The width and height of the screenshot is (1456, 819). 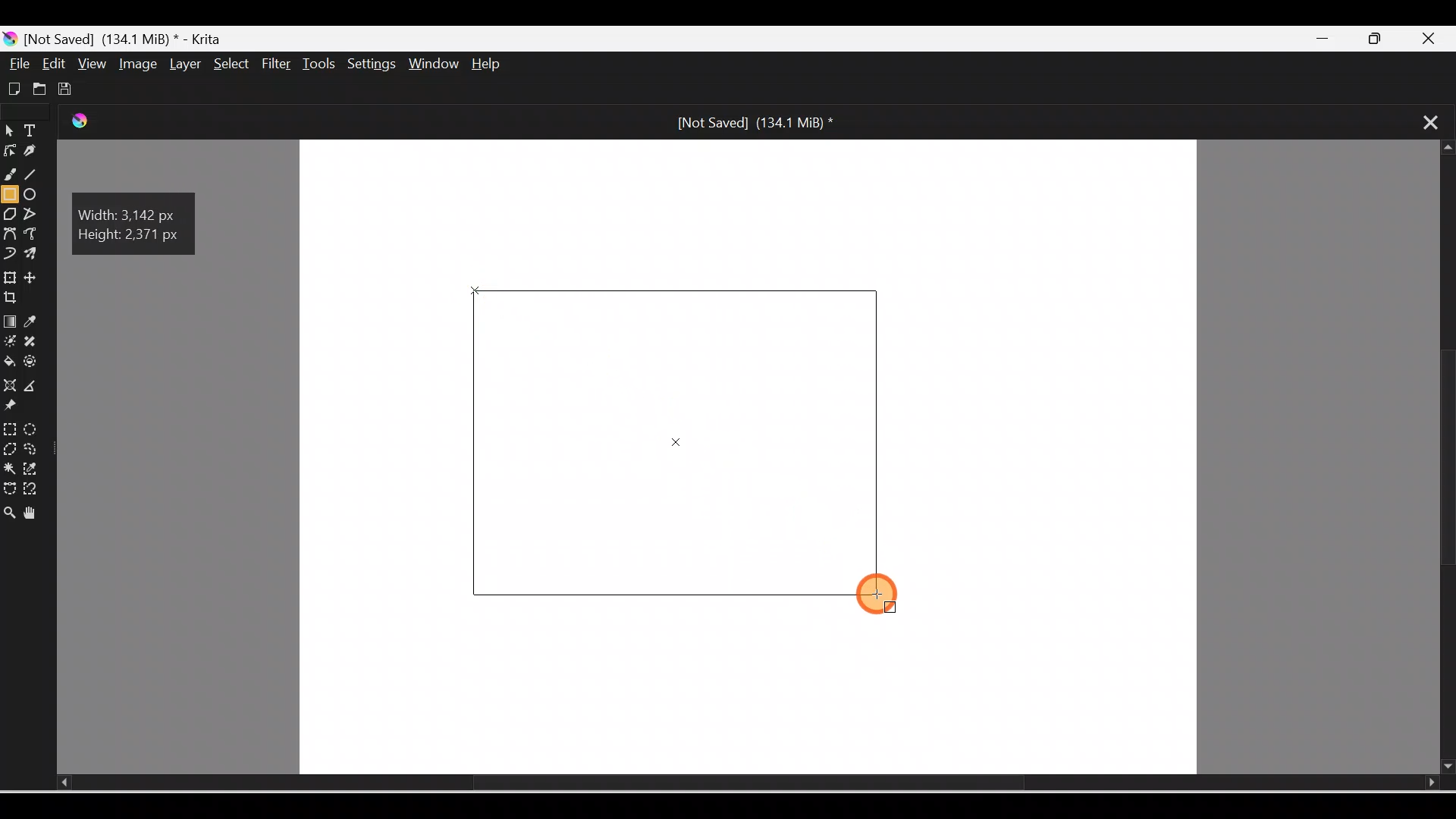 What do you see at coordinates (32, 152) in the screenshot?
I see `Calligraphy` at bounding box center [32, 152].